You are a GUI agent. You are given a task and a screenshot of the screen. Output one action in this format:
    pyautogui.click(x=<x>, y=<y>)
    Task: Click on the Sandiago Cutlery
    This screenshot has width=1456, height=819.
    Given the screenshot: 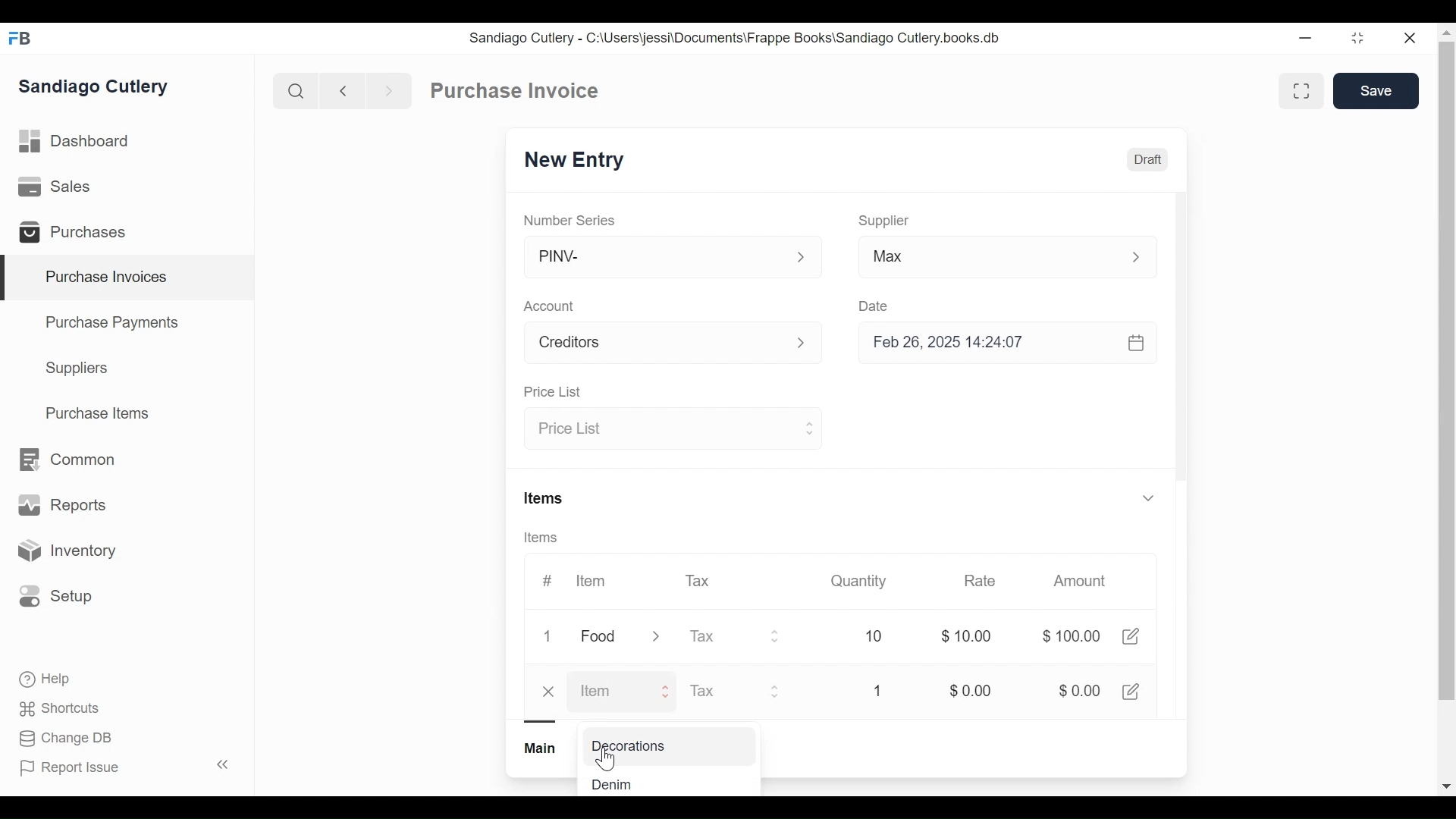 What is the action you would take?
    pyautogui.click(x=96, y=88)
    